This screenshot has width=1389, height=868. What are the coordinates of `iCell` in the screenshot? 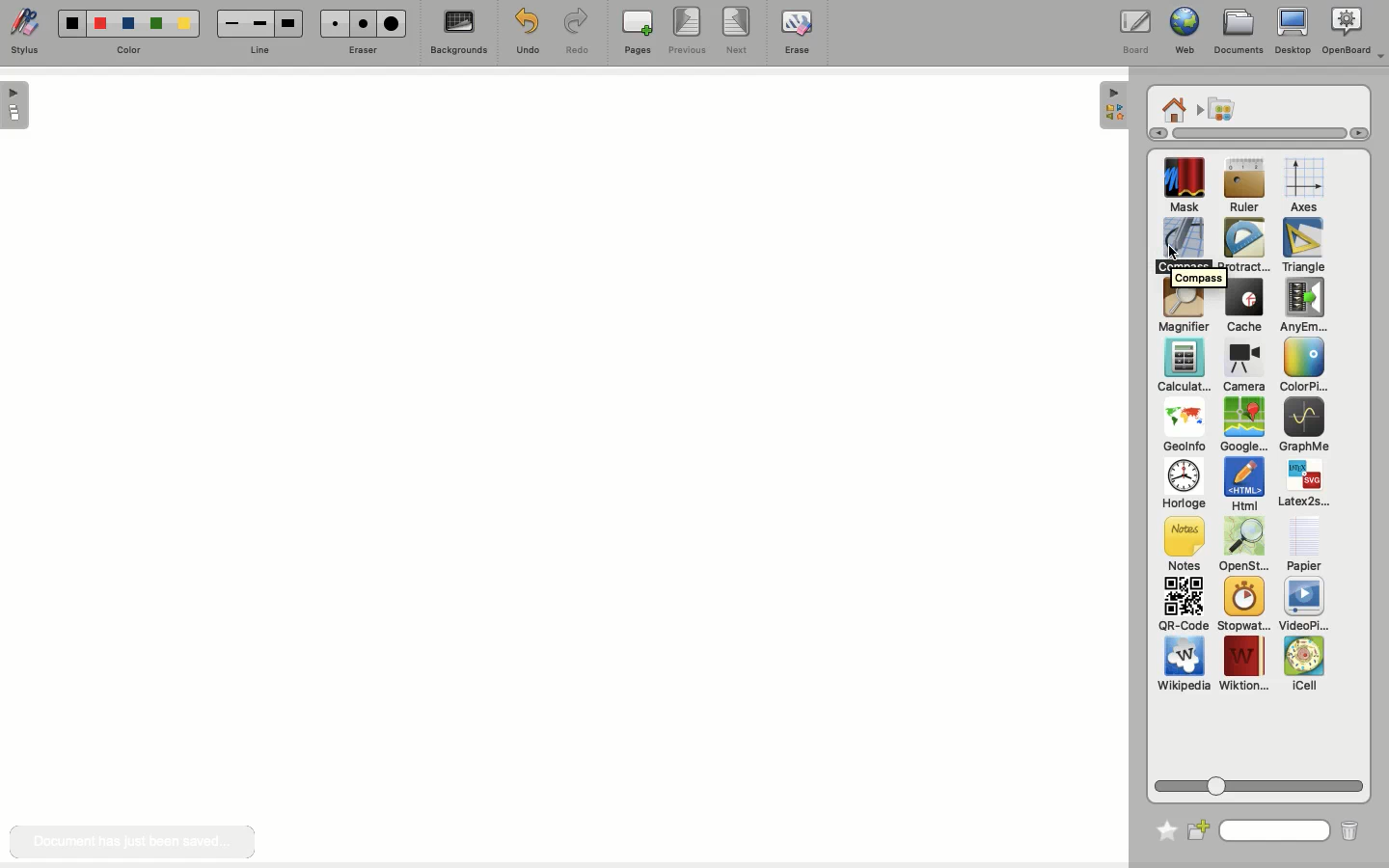 It's located at (1305, 665).